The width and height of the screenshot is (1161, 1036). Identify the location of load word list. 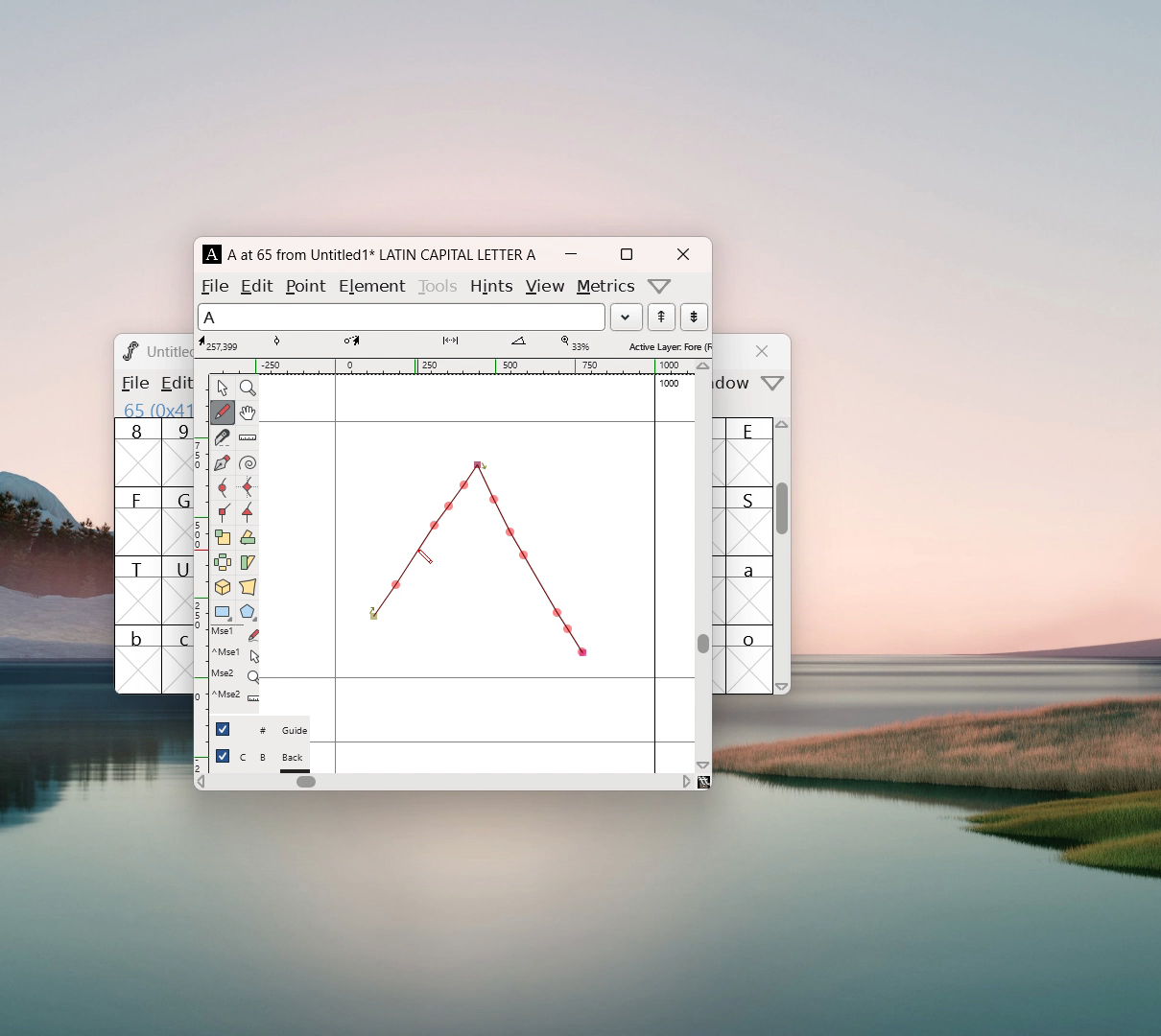
(626, 317).